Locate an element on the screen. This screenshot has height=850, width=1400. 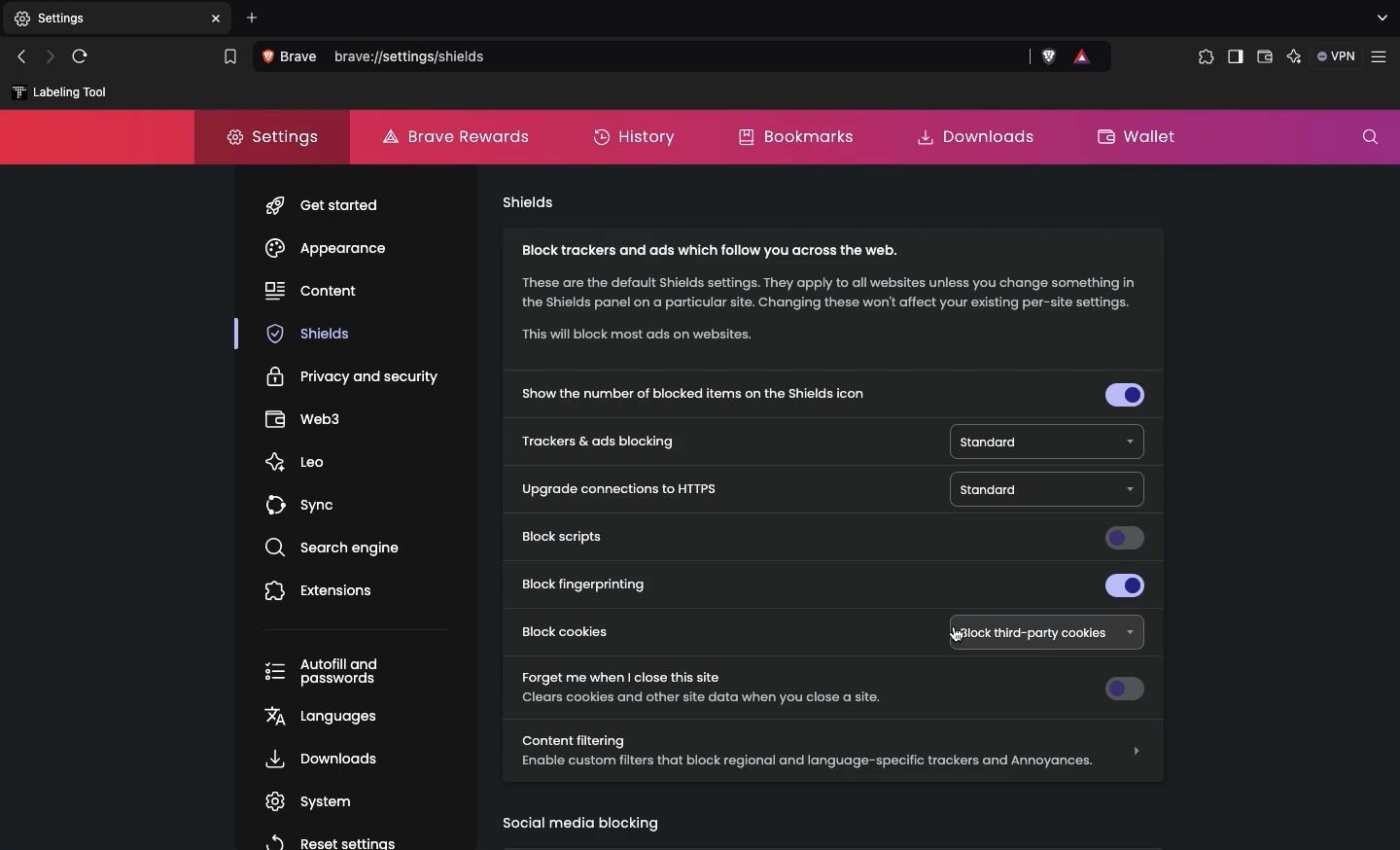
VPN is located at coordinates (1338, 57).